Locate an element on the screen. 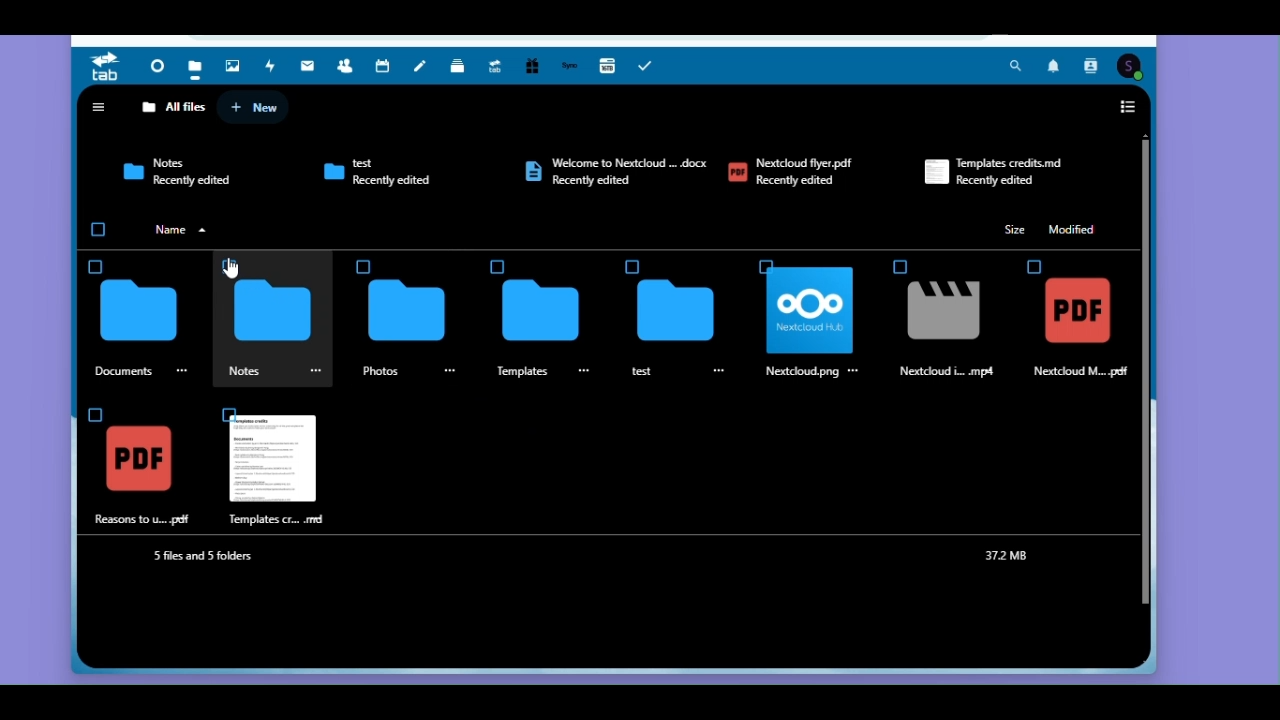 Image resolution: width=1280 pixels, height=720 pixels. Icon is located at coordinates (680, 312).